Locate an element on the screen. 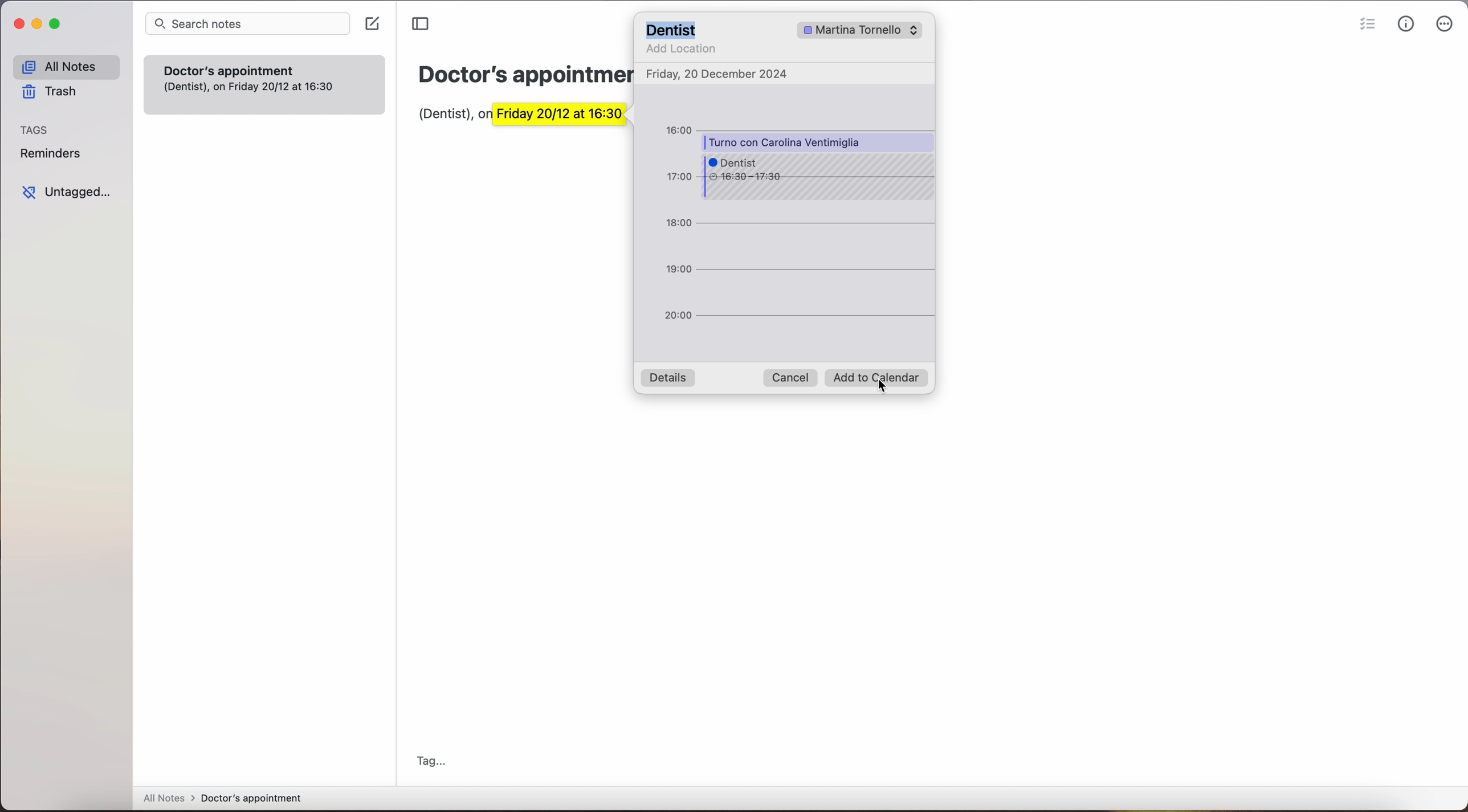  Details is located at coordinates (668, 378).